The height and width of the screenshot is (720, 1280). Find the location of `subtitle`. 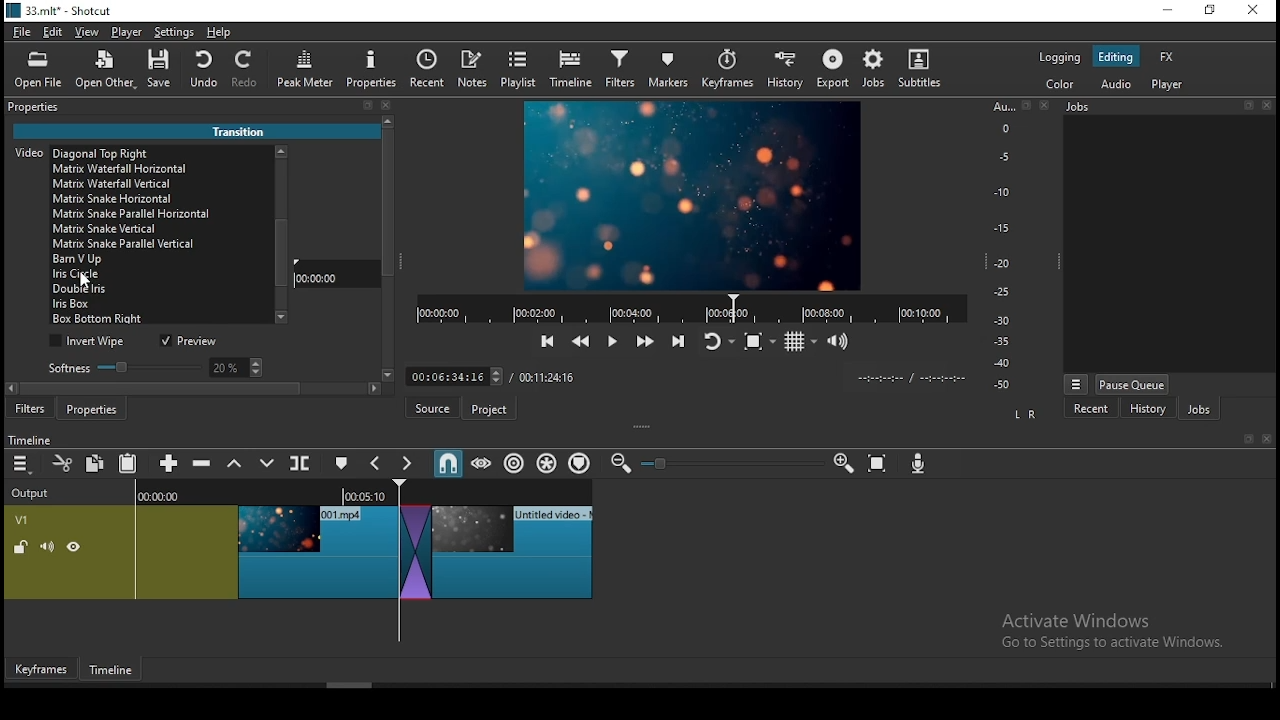

subtitle is located at coordinates (917, 68).